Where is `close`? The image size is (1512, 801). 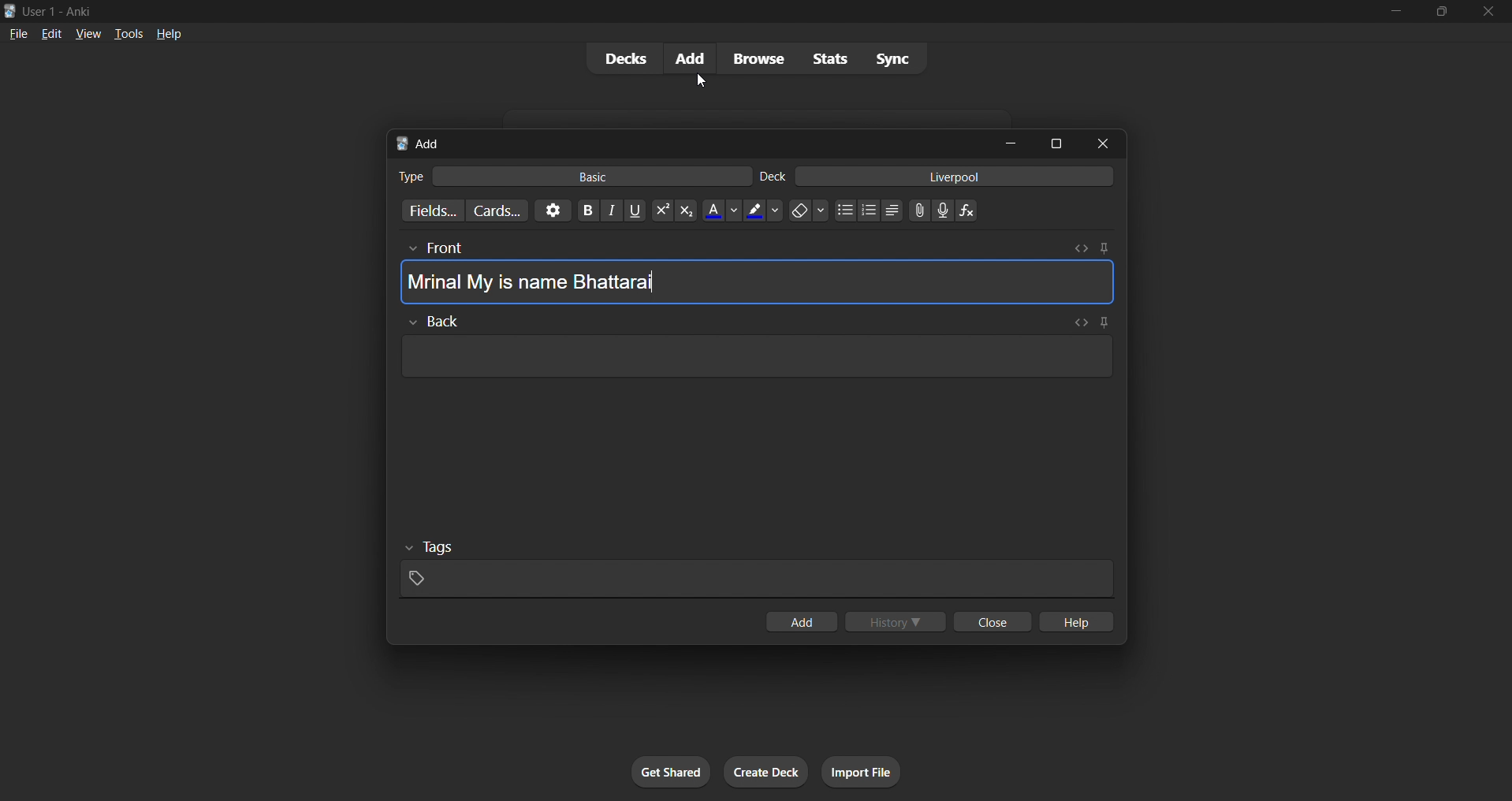
close is located at coordinates (1490, 13).